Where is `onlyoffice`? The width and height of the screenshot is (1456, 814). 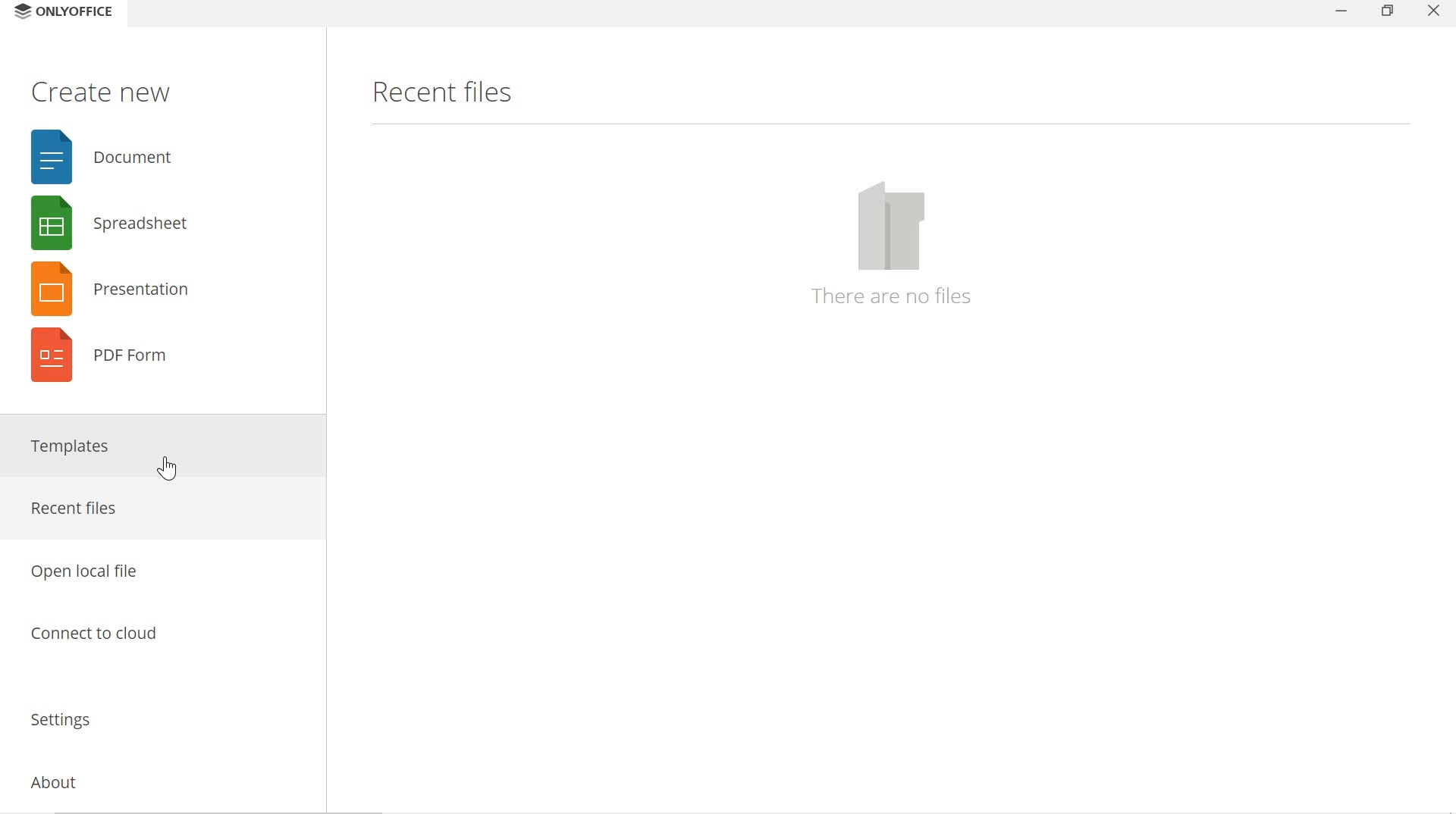 onlyoffice is located at coordinates (83, 14).